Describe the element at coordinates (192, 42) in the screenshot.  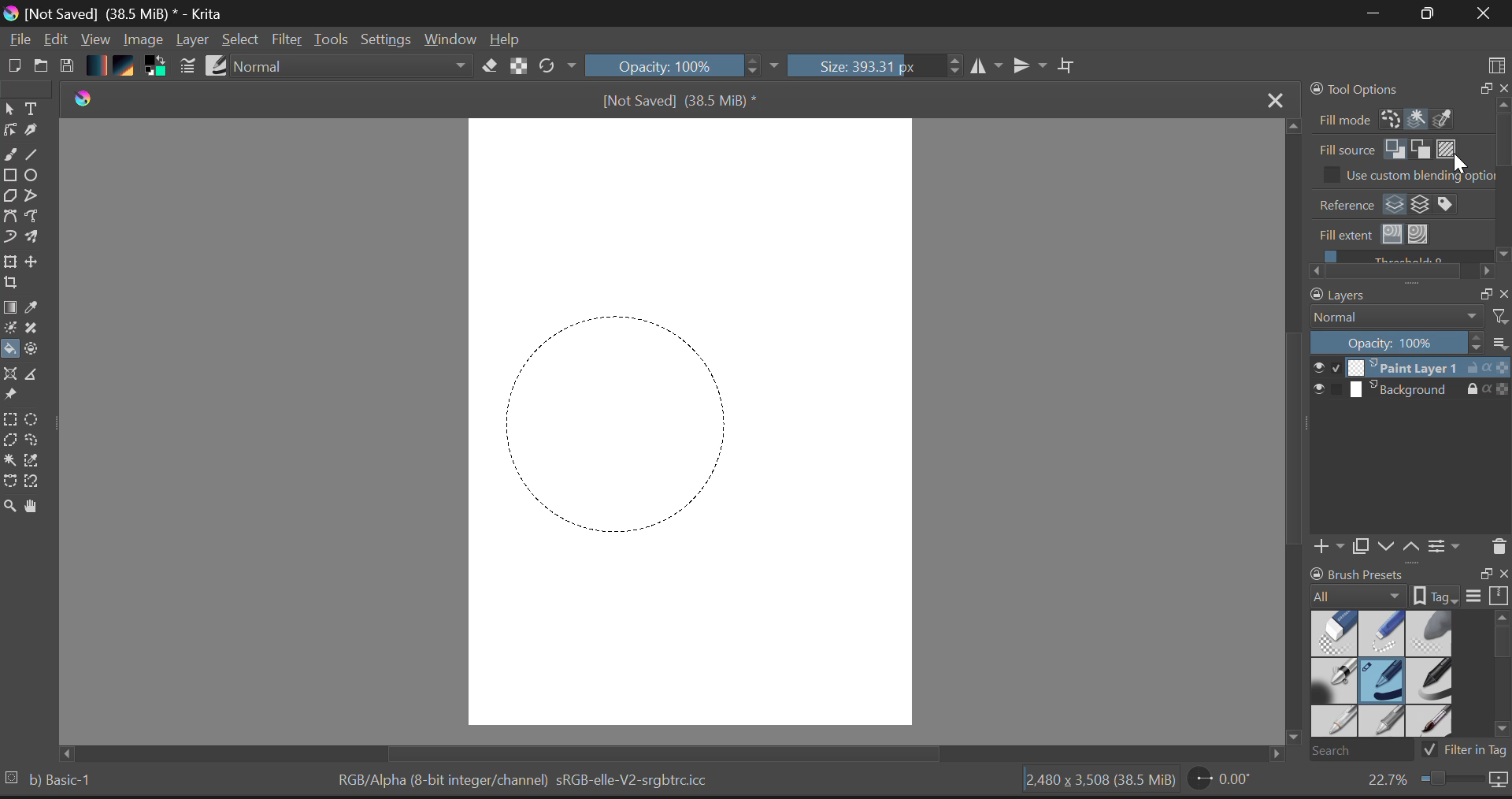
I see `Layer` at that location.